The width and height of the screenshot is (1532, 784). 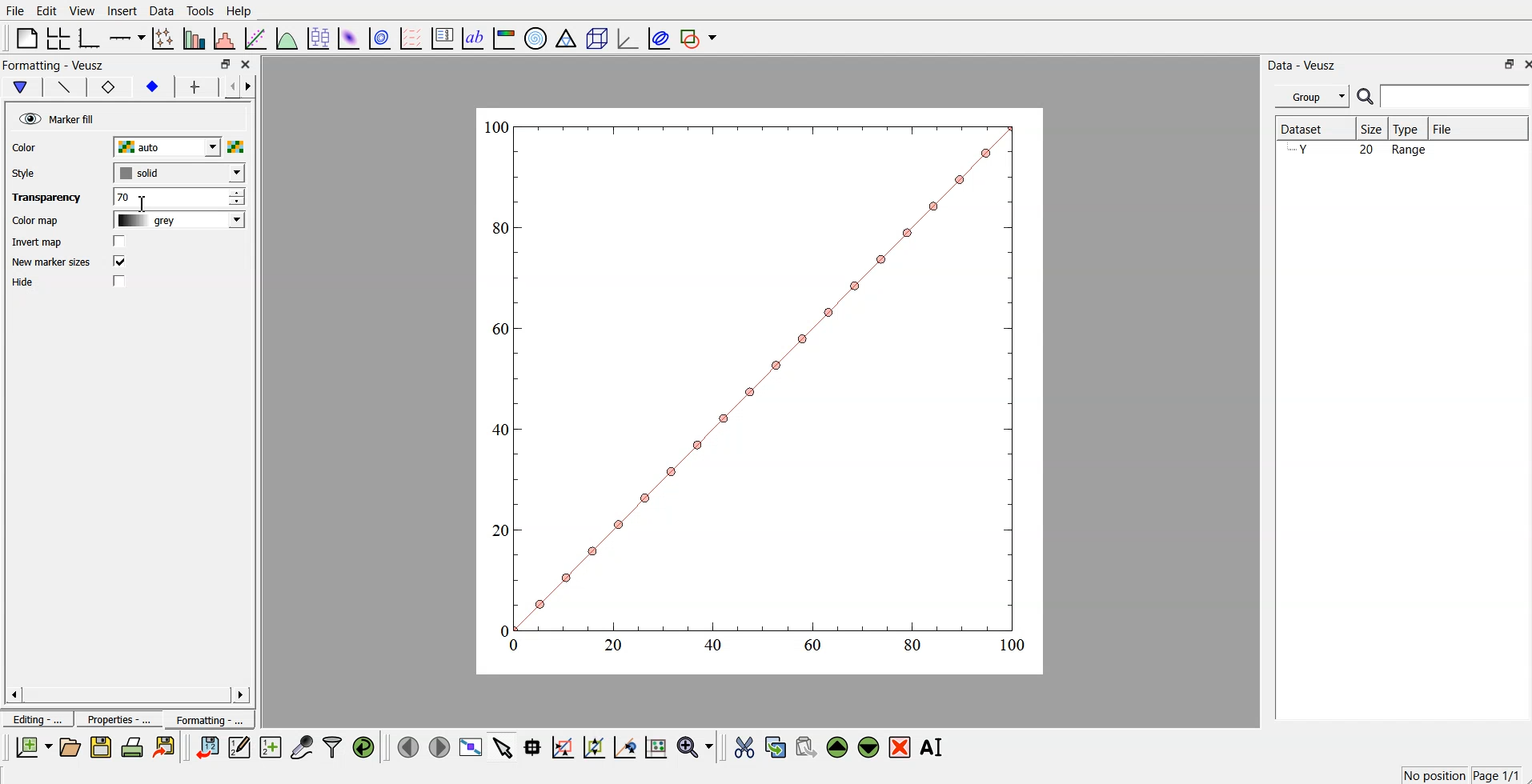 I want to click on marker fill, so click(x=55, y=117).